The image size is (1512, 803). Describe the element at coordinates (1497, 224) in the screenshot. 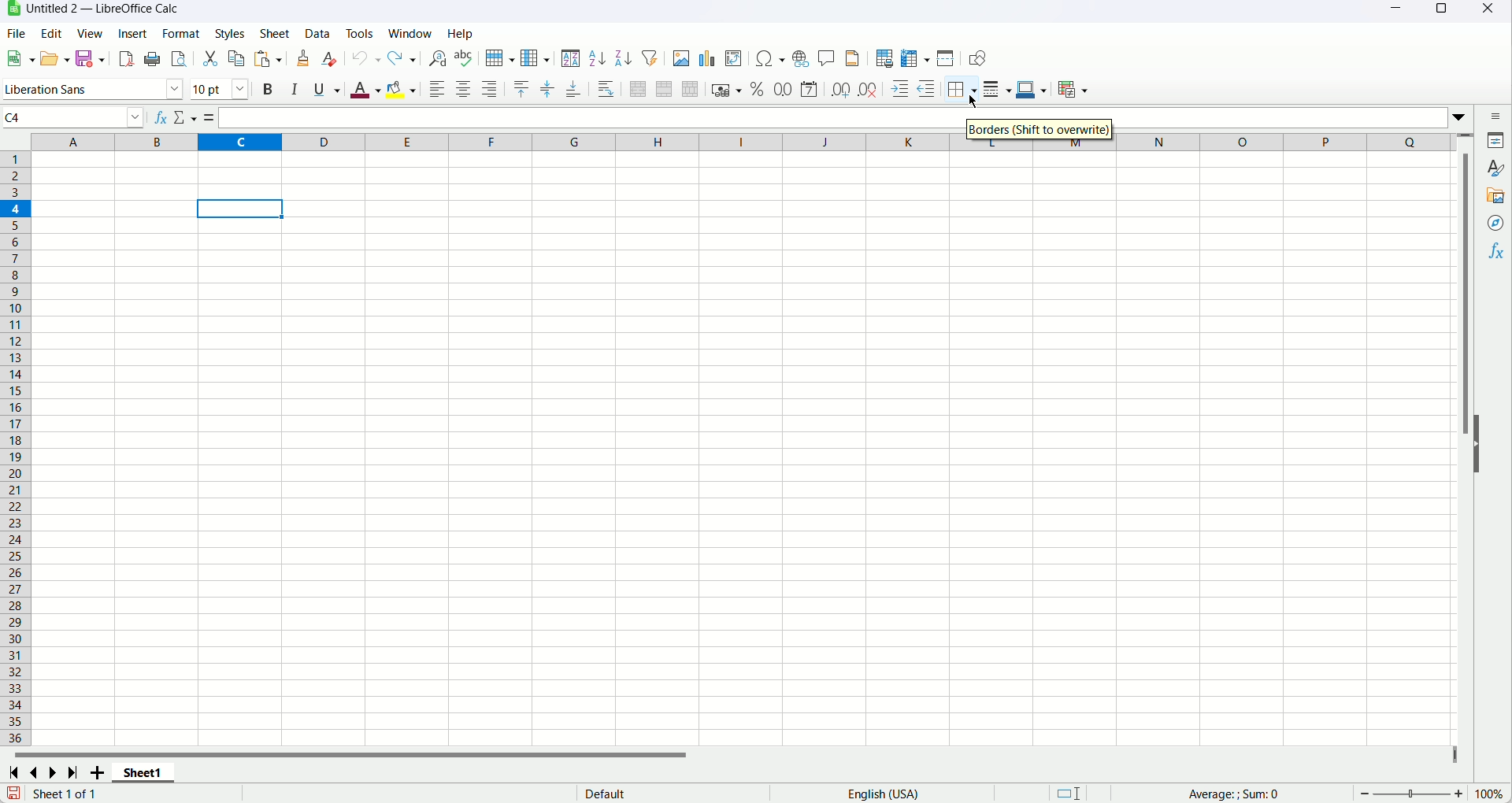

I see `Navigator` at that location.